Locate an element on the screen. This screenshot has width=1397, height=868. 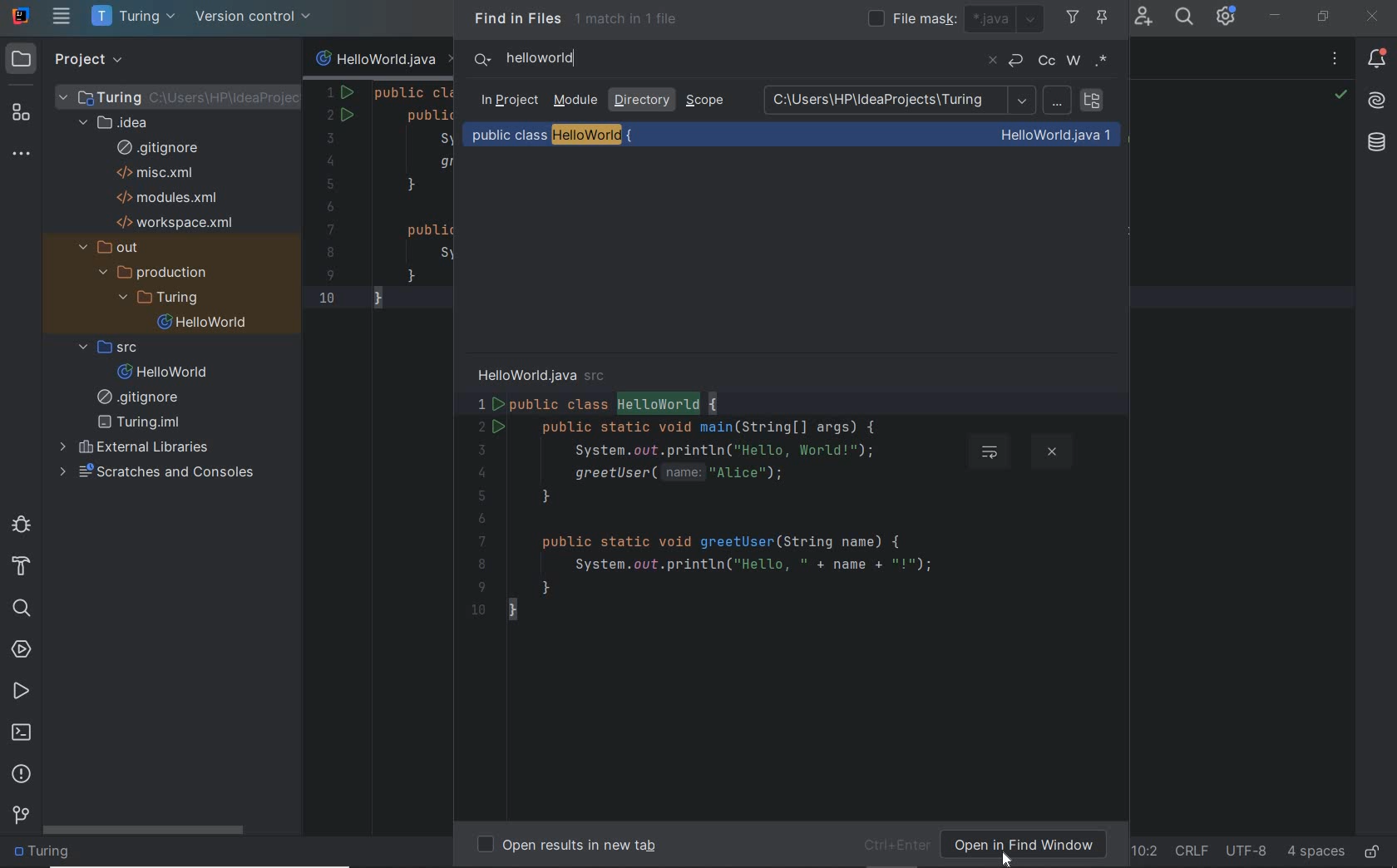
terminal is located at coordinates (22, 732).